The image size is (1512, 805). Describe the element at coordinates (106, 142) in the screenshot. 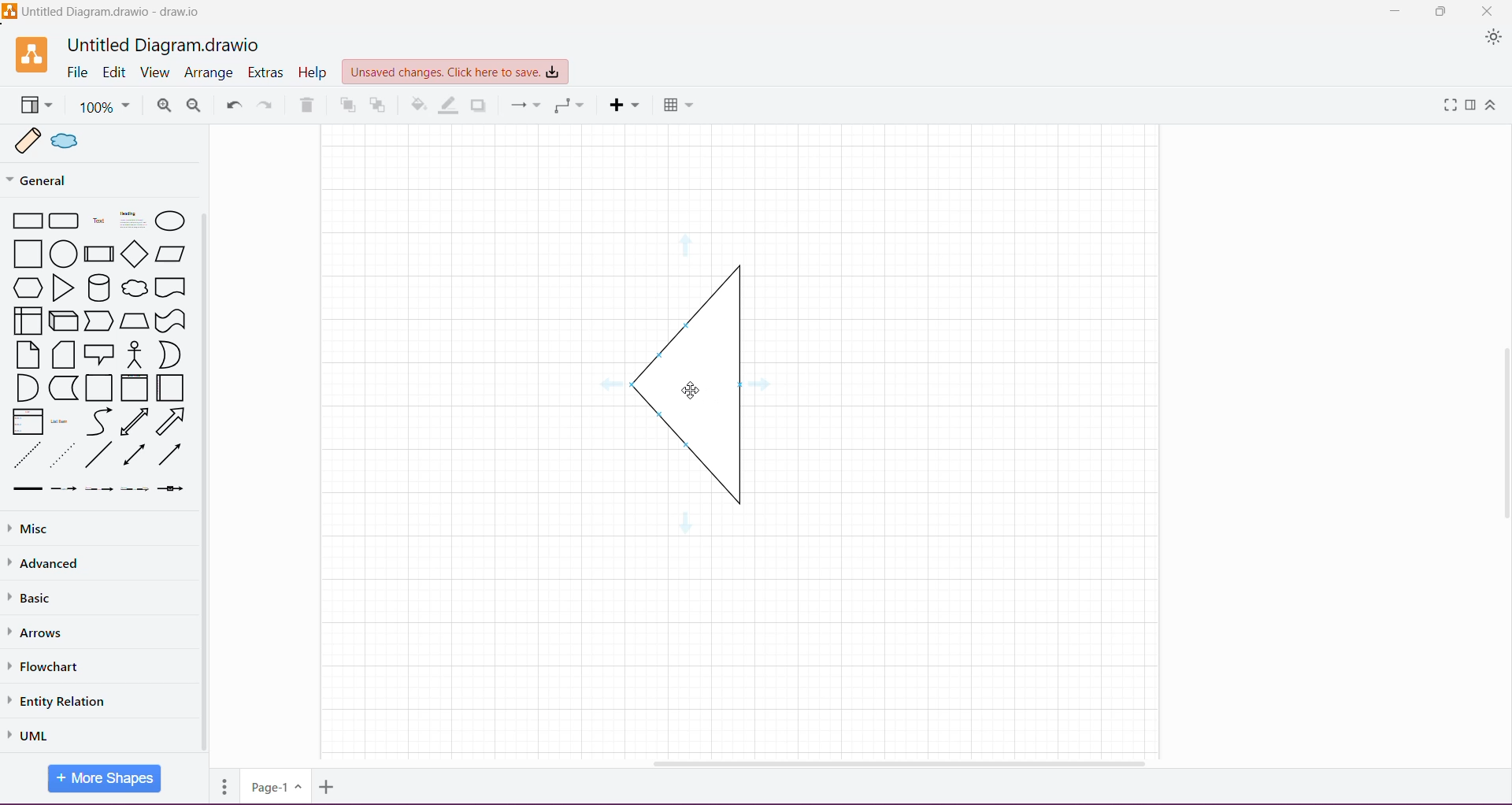

I see `Sample shapes in Scratchpad` at that location.